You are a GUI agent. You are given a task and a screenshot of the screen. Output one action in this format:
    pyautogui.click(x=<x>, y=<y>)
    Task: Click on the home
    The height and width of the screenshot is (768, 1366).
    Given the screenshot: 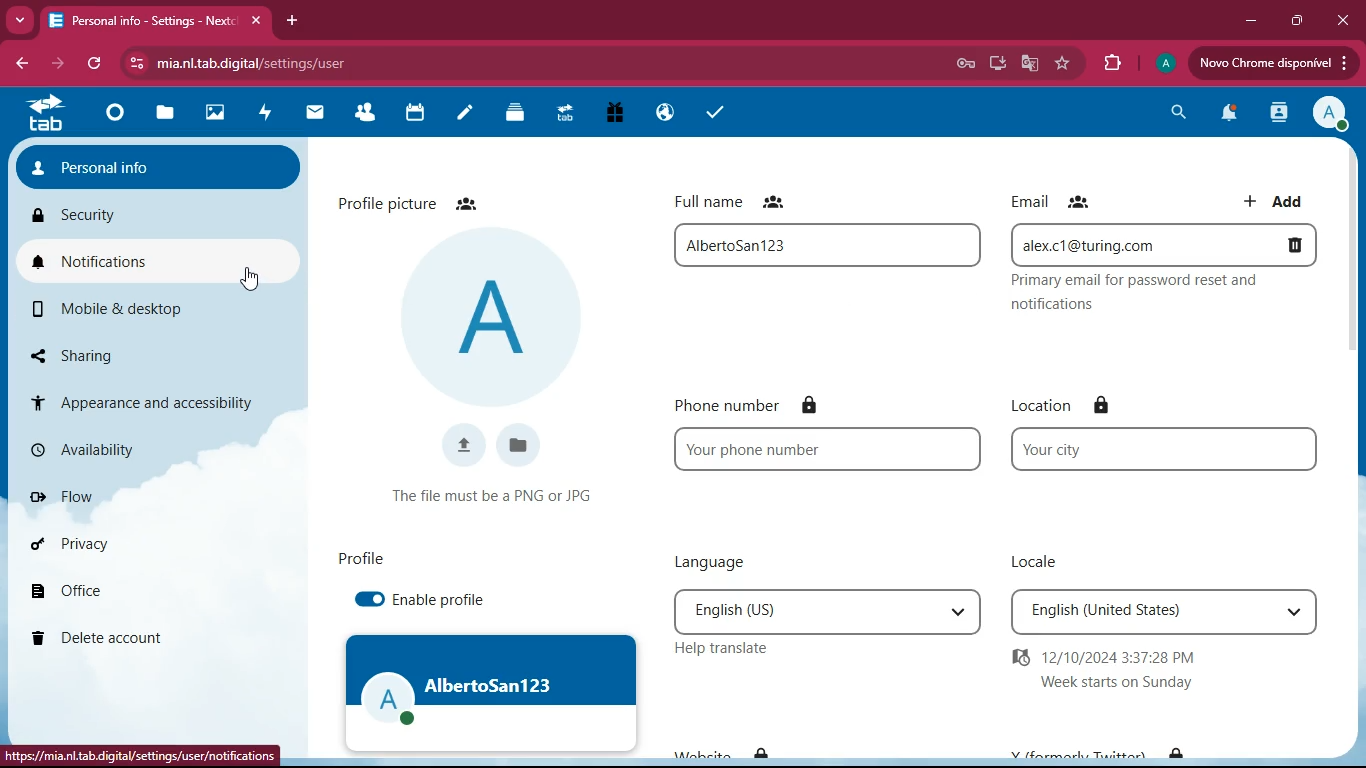 What is the action you would take?
    pyautogui.click(x=108, y=115)
    